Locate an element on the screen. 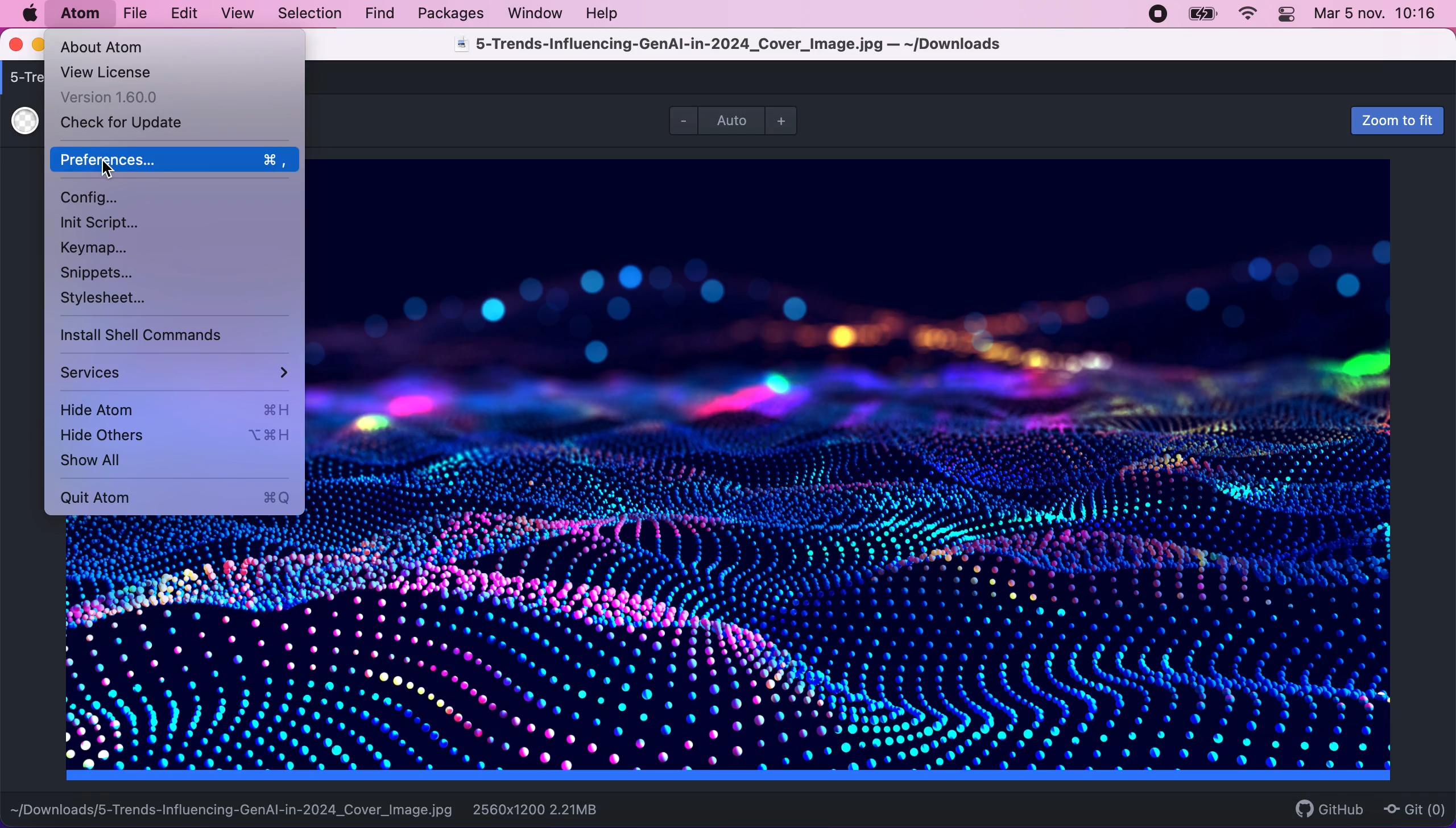 The width and height of the screenshot is (1456, 828). init script is located at coordinates (99, 223).